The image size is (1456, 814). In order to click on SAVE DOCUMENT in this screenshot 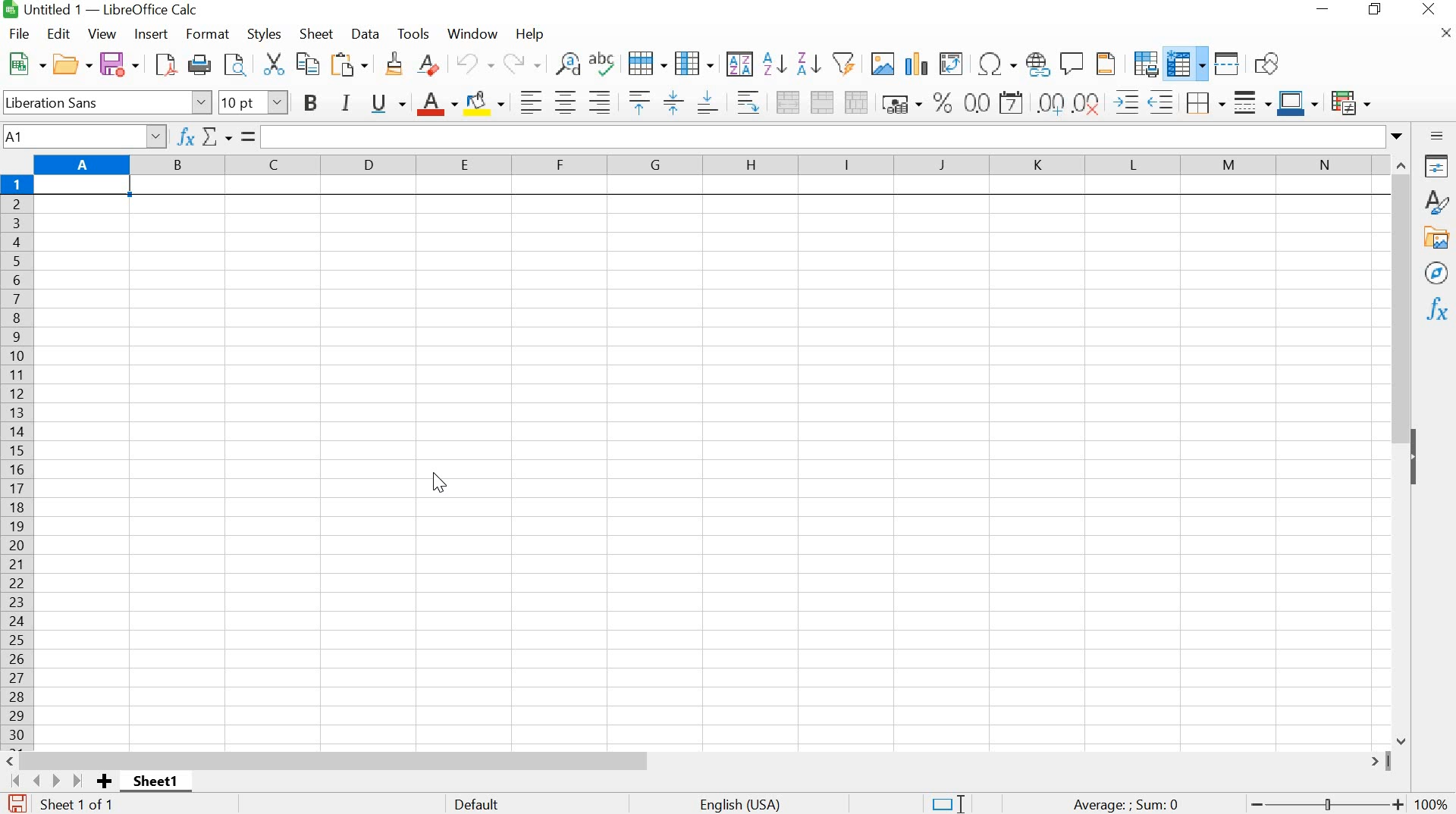, I will do `click(21, 804)`.